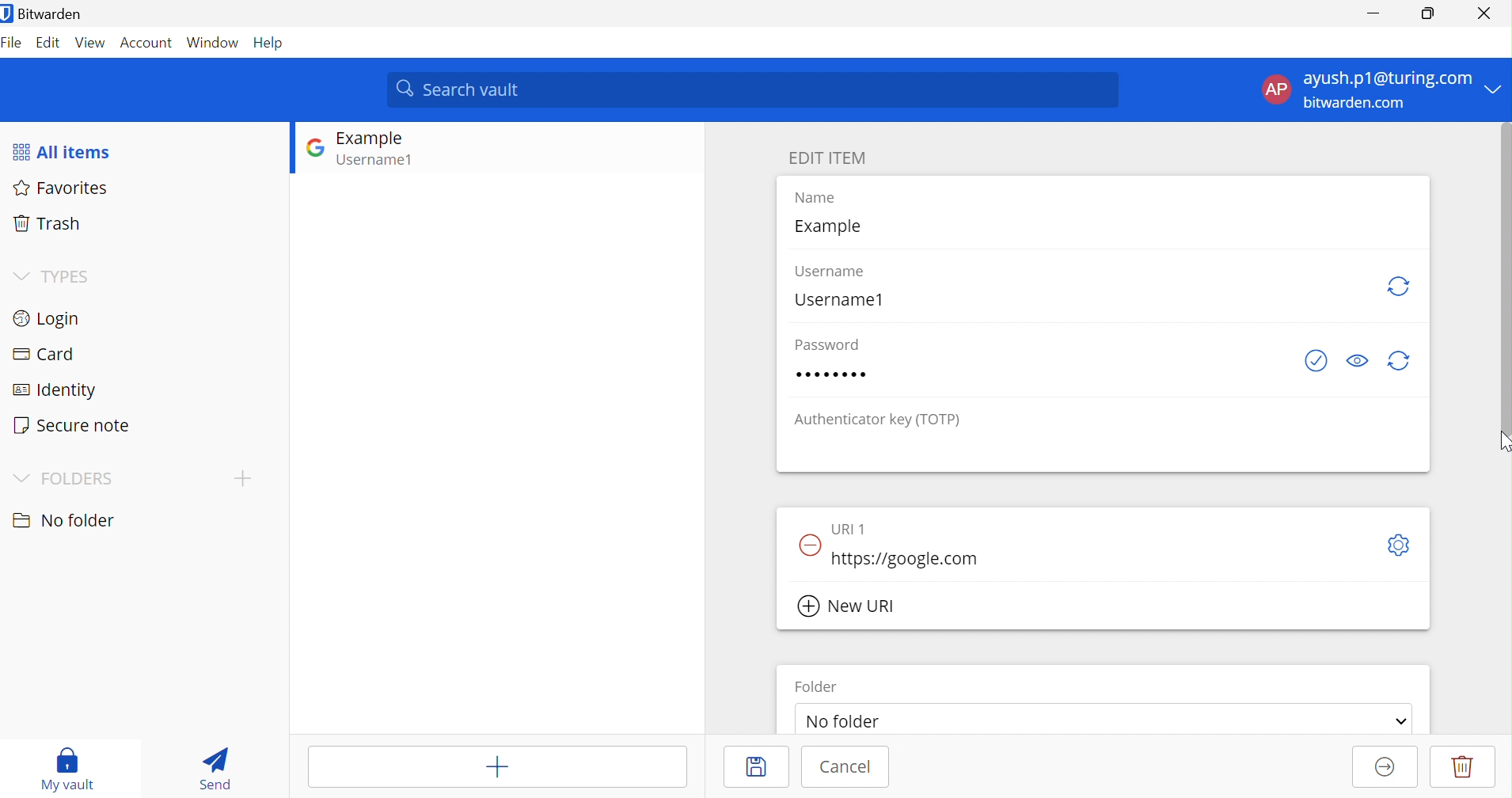  I want to click on Search vault, so click(754, 89).